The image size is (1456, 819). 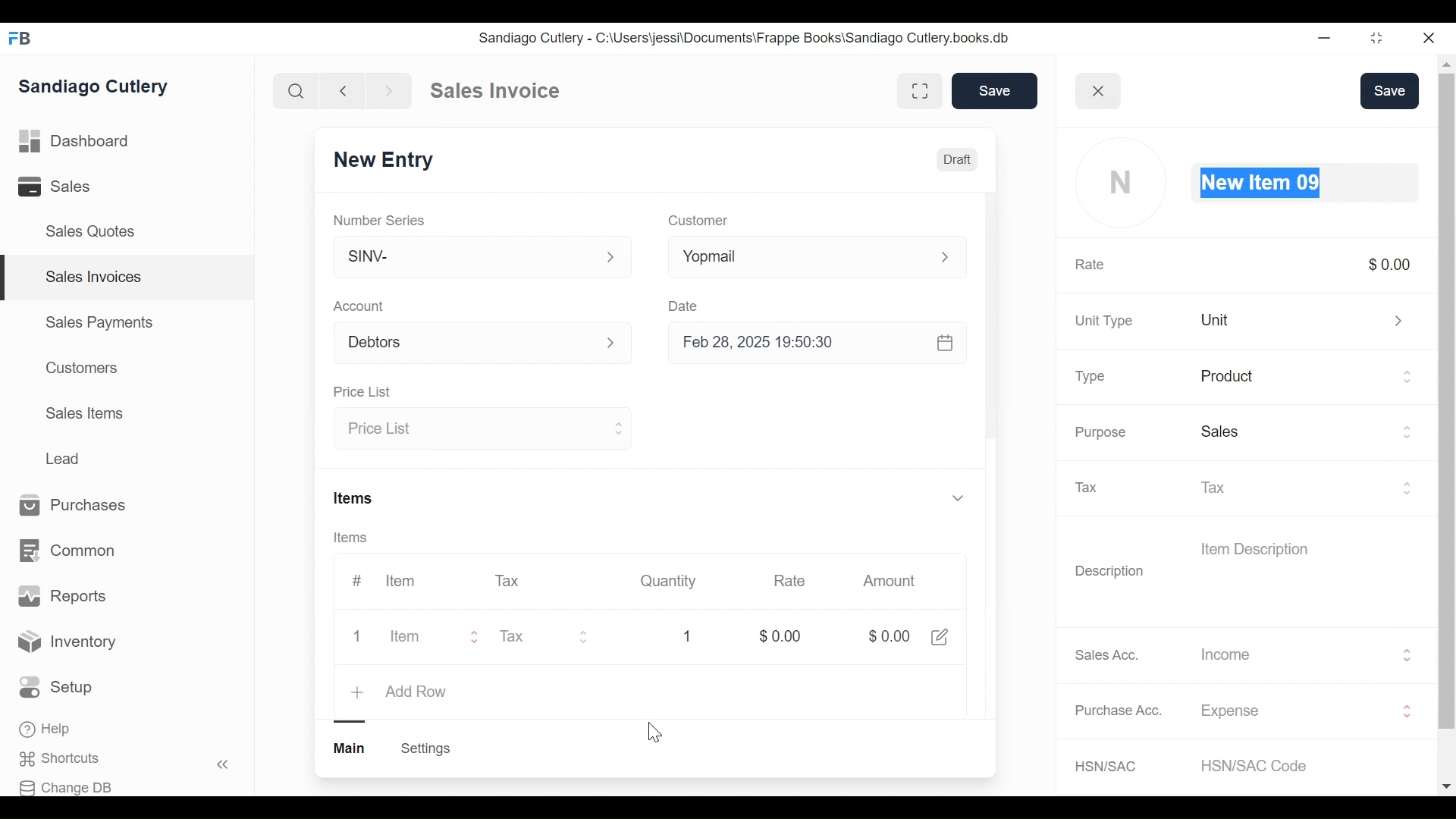 What do you see at coordinates (67, 644) in the screenshot?
I see `Inventory` at bounding box center [67, 644].